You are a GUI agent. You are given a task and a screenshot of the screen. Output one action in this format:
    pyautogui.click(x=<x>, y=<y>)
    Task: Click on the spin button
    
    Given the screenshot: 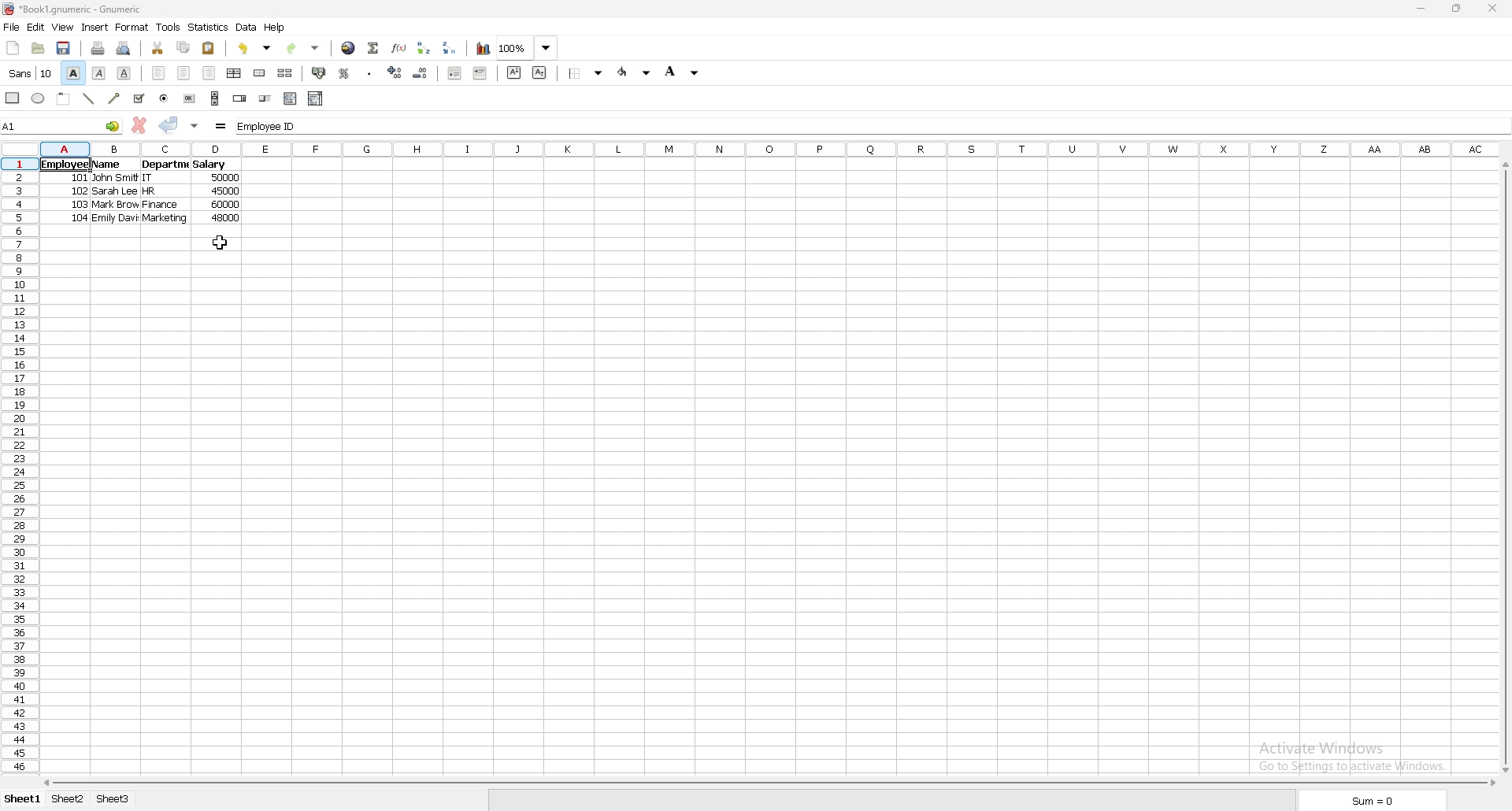 What is the action you would take?
    pyautogui.click(x=240, y=98)
    